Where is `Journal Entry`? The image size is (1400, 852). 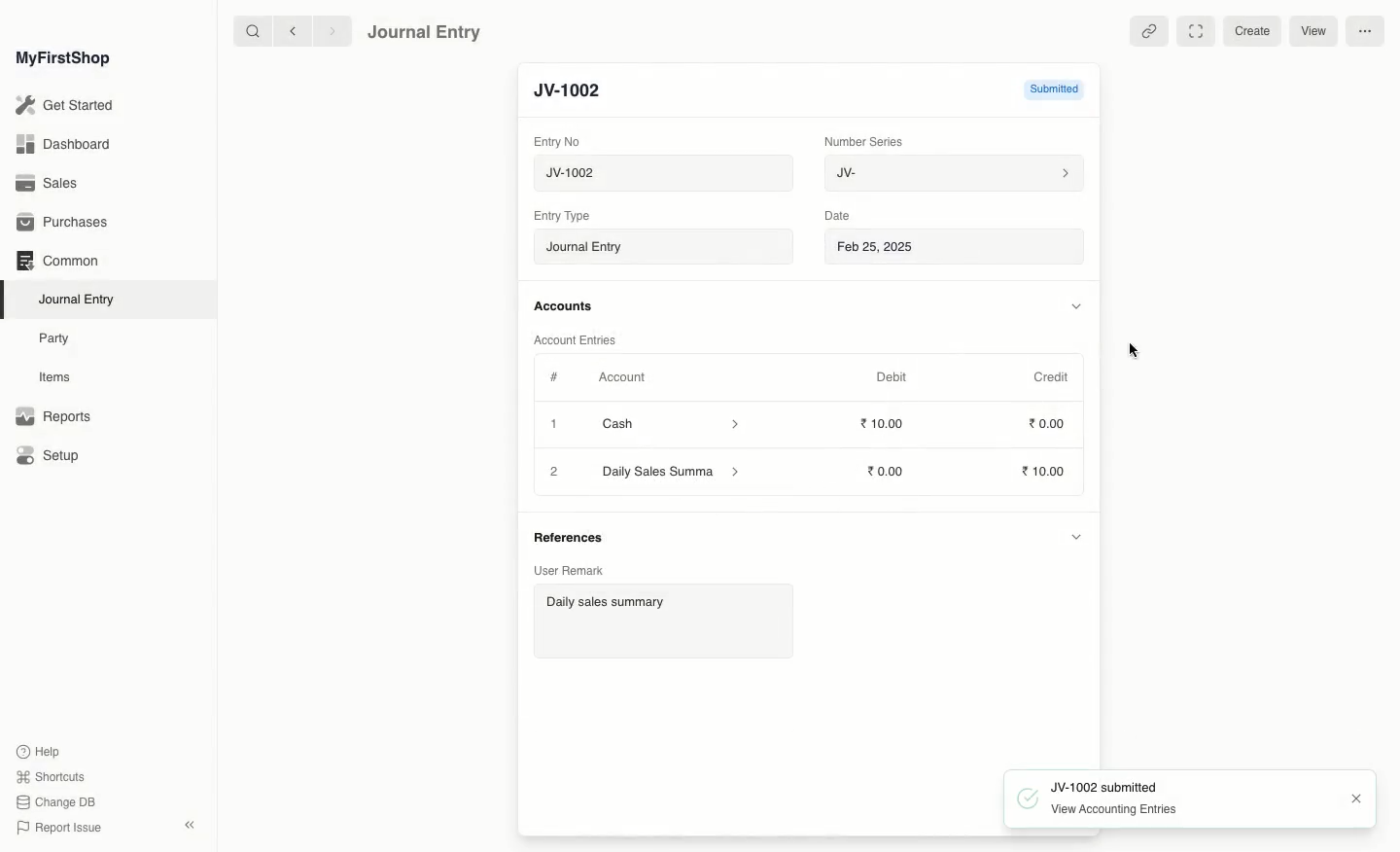
Journal Entry is located at coordinates (82, 299).